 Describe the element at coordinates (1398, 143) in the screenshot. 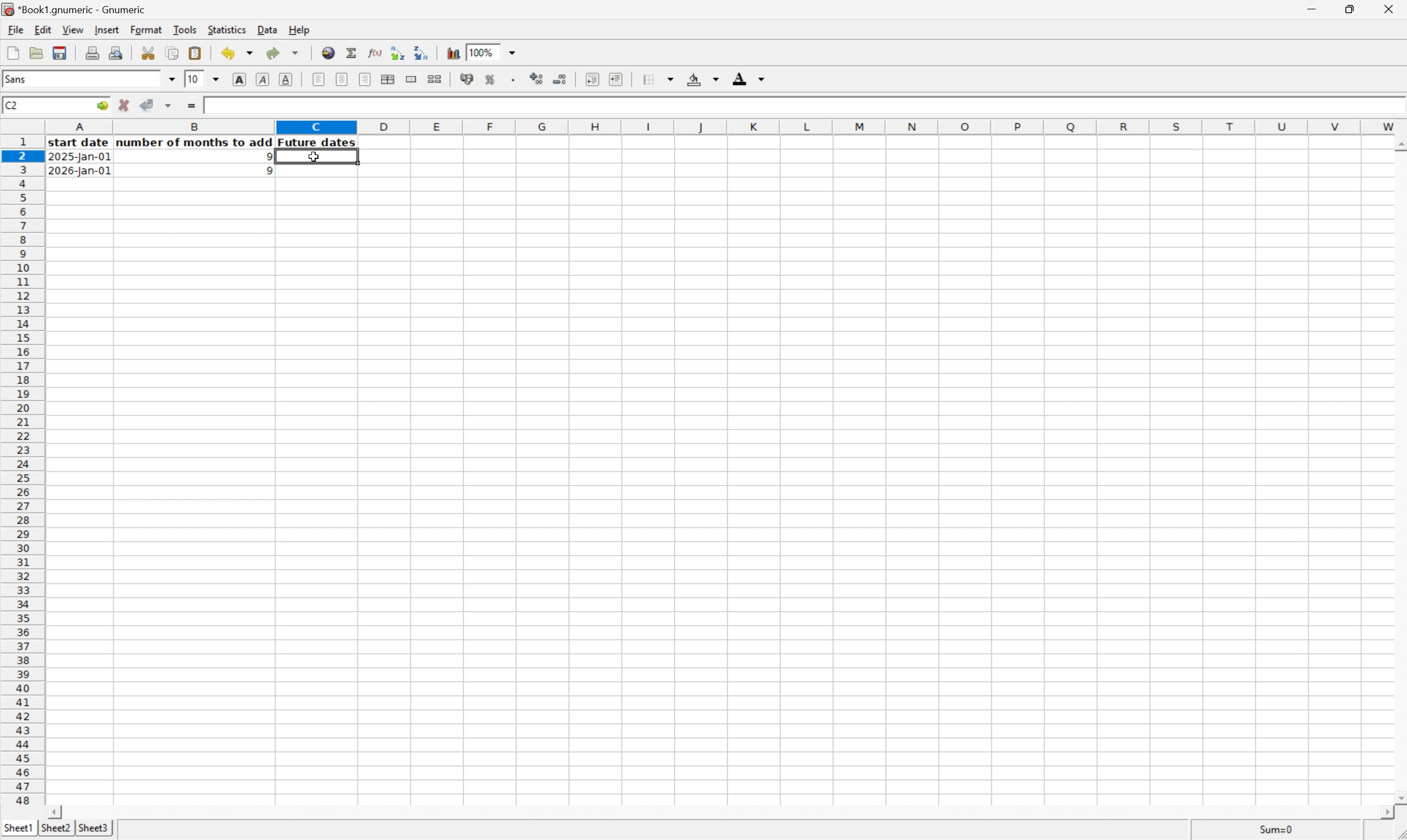

I see `Scroll Up` at that location.